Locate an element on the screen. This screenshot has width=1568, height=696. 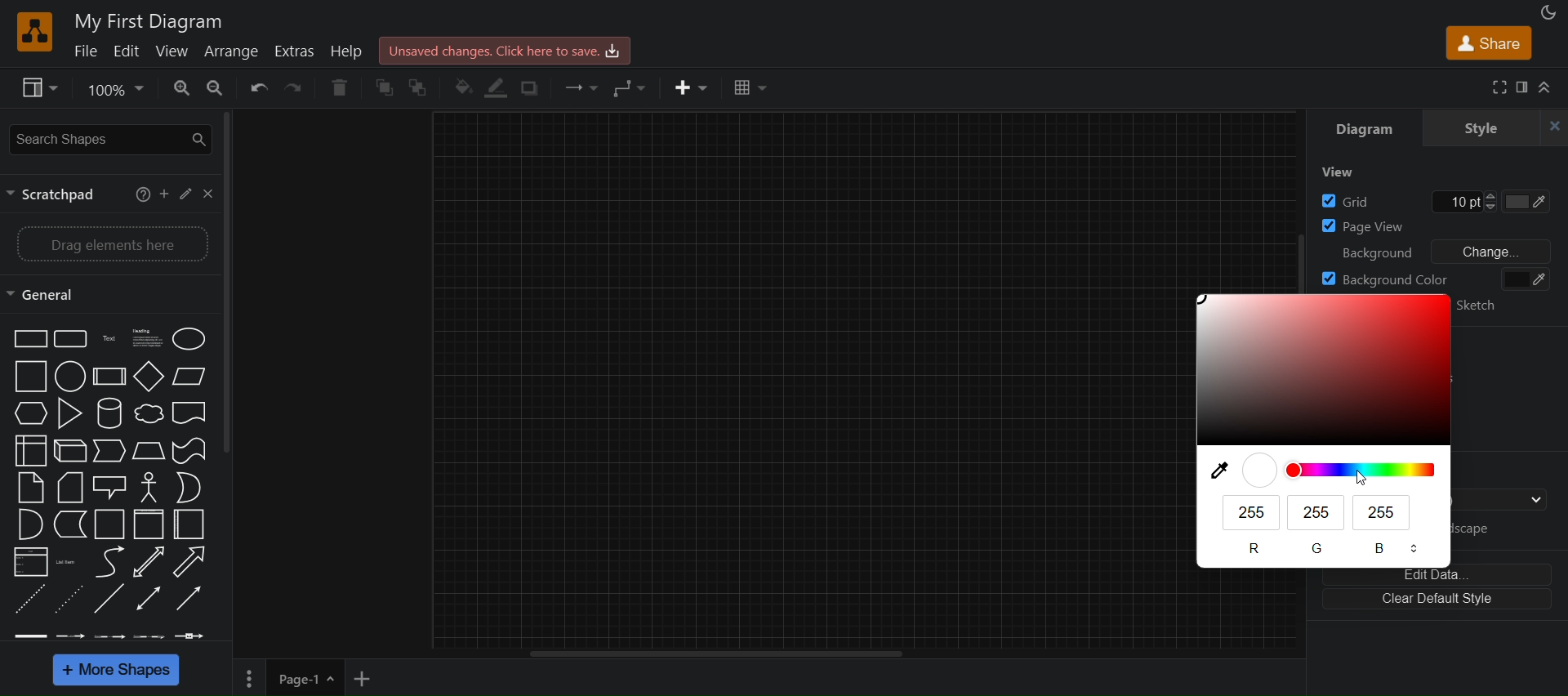
view is located at coordinates (1340, 173).